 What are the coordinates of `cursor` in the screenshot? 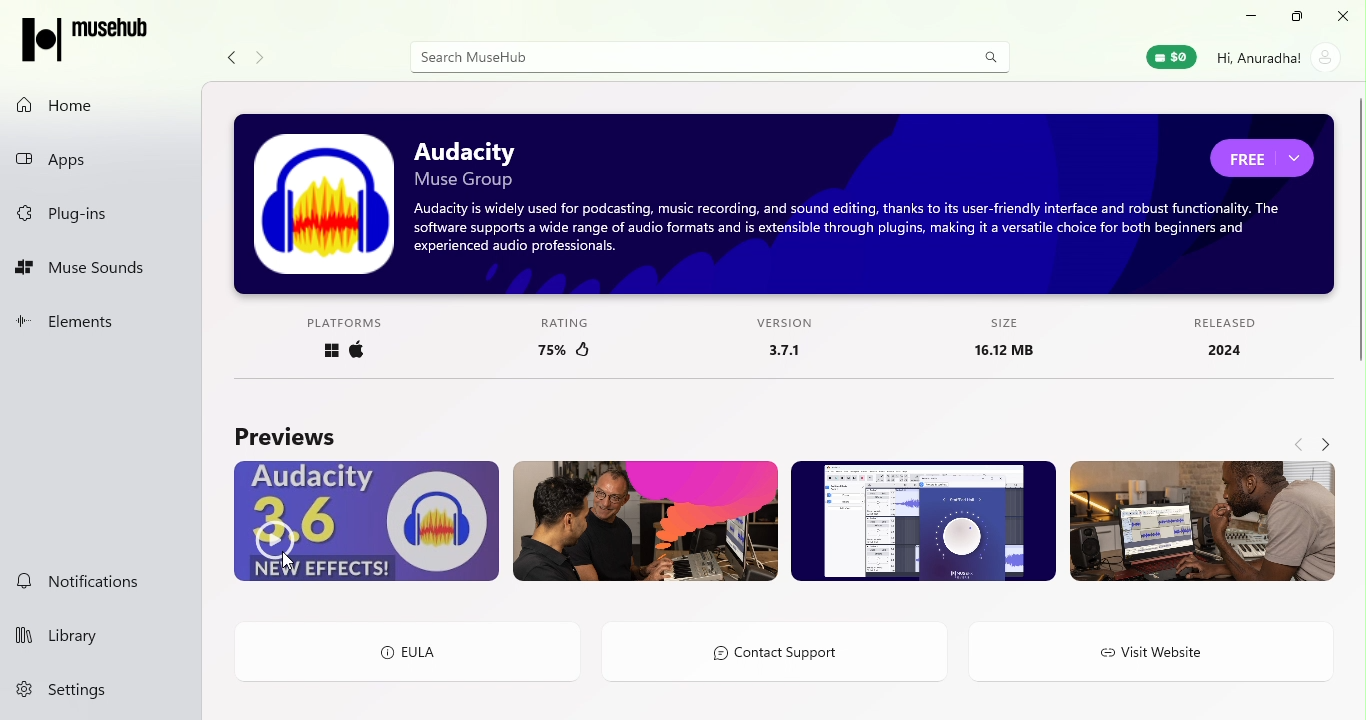 It's located at (291, 564).